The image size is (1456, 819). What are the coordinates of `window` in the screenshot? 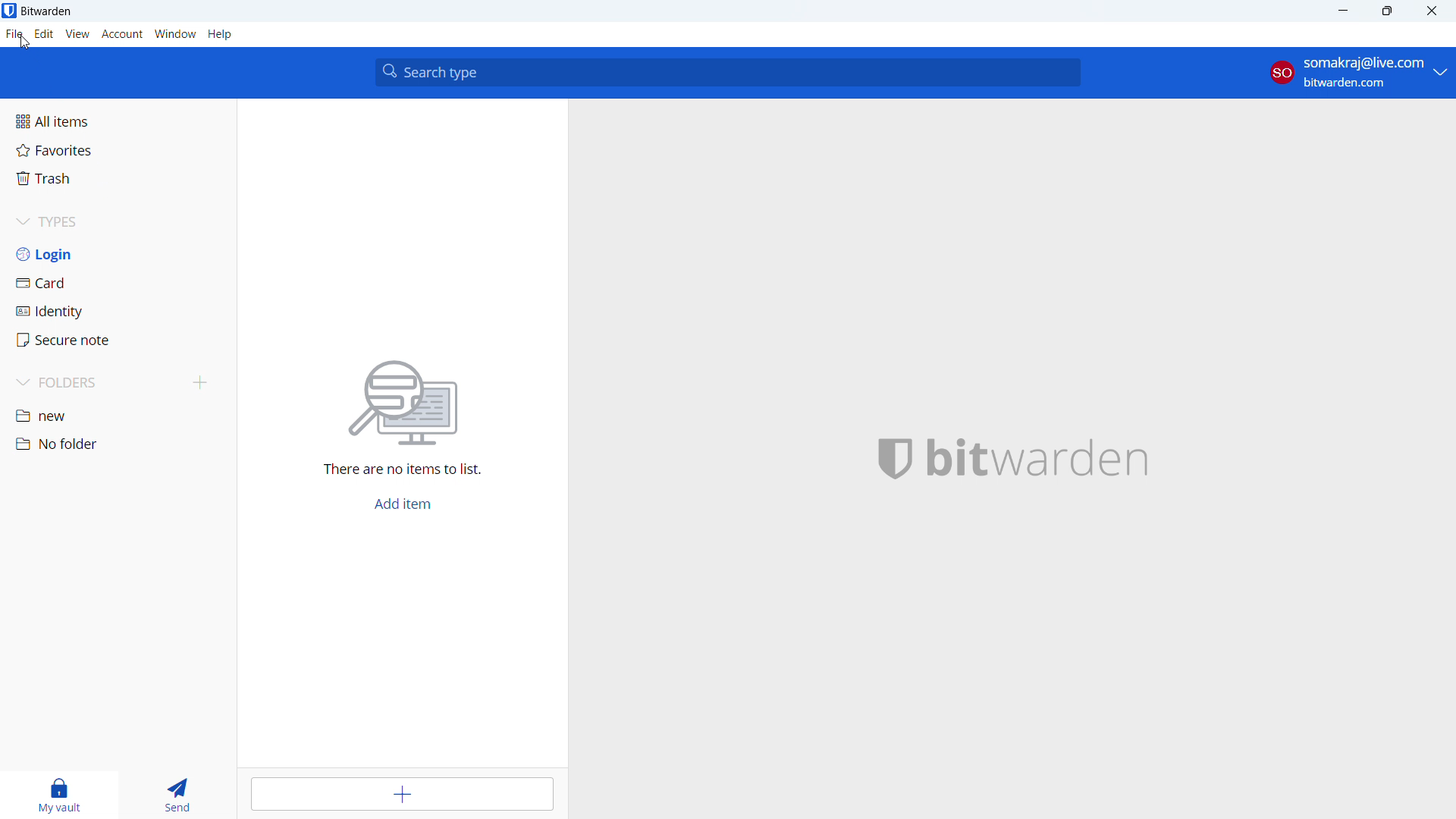 It's located at (176, 34).